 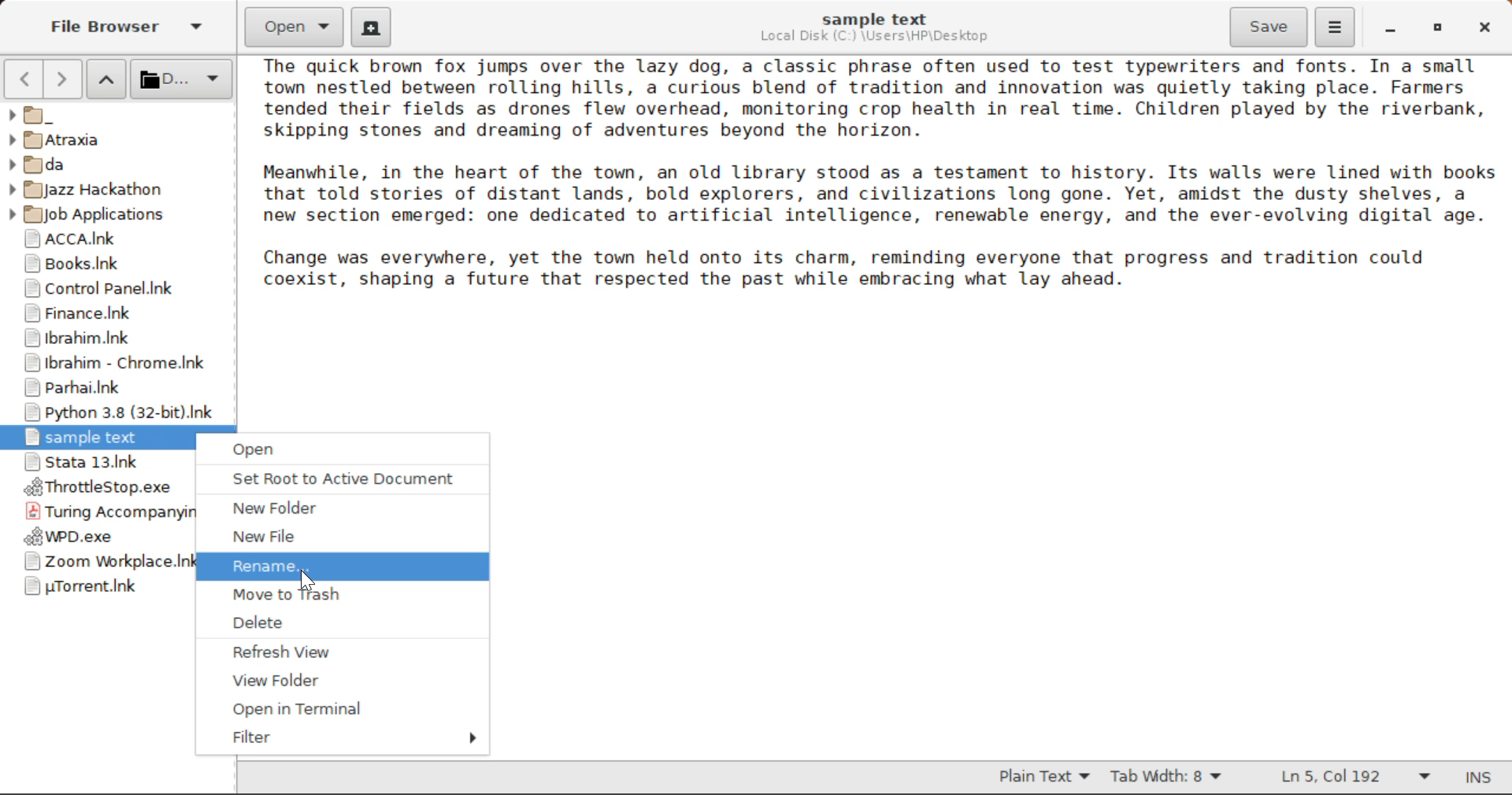 I want to click on Save, so click(x=1270, y=28).